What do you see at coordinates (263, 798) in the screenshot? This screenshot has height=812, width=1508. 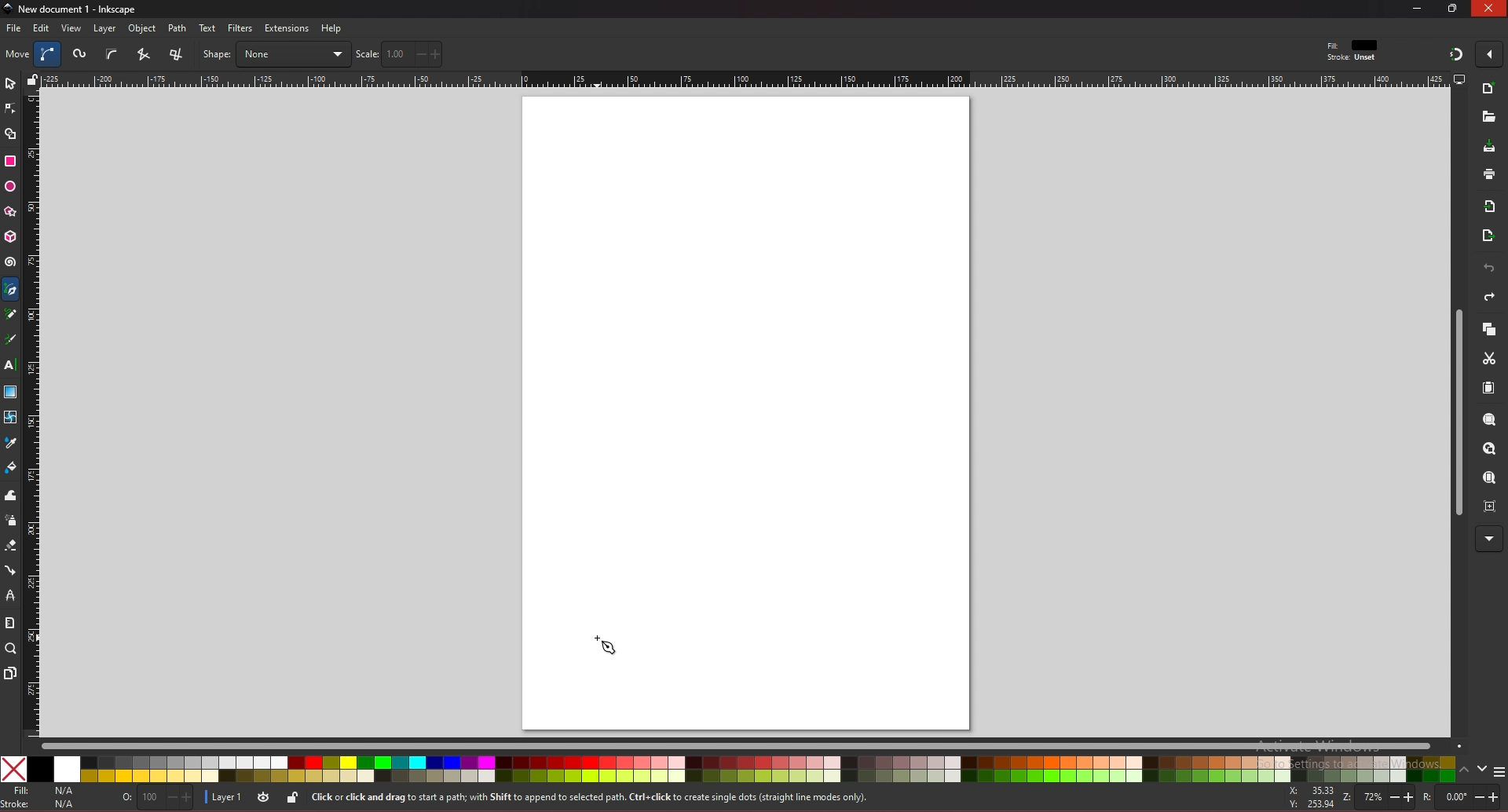 I see `toggle visibility` at bounding box center [263, 798].